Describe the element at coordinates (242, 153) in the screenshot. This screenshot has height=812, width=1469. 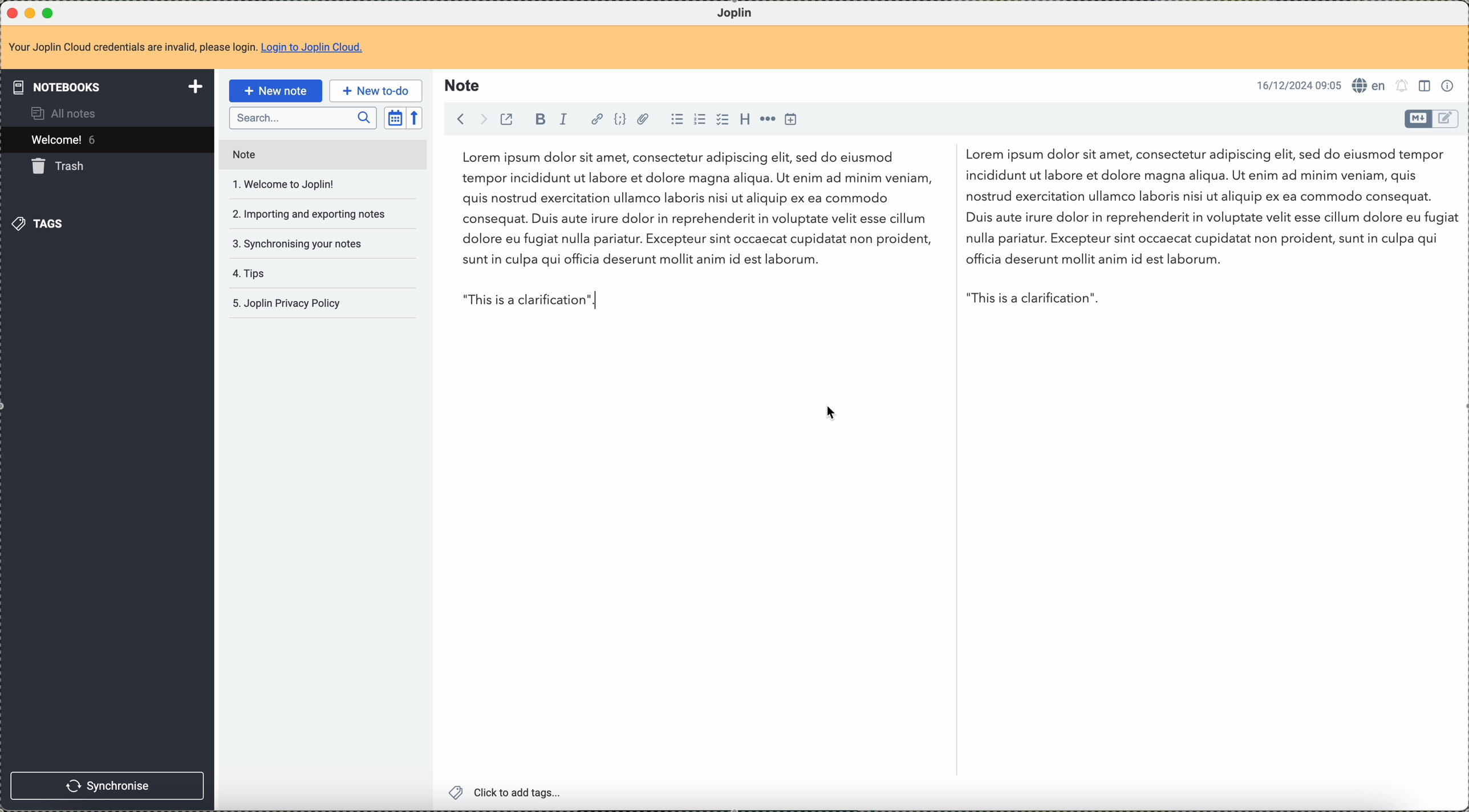
I see `note` at that location.